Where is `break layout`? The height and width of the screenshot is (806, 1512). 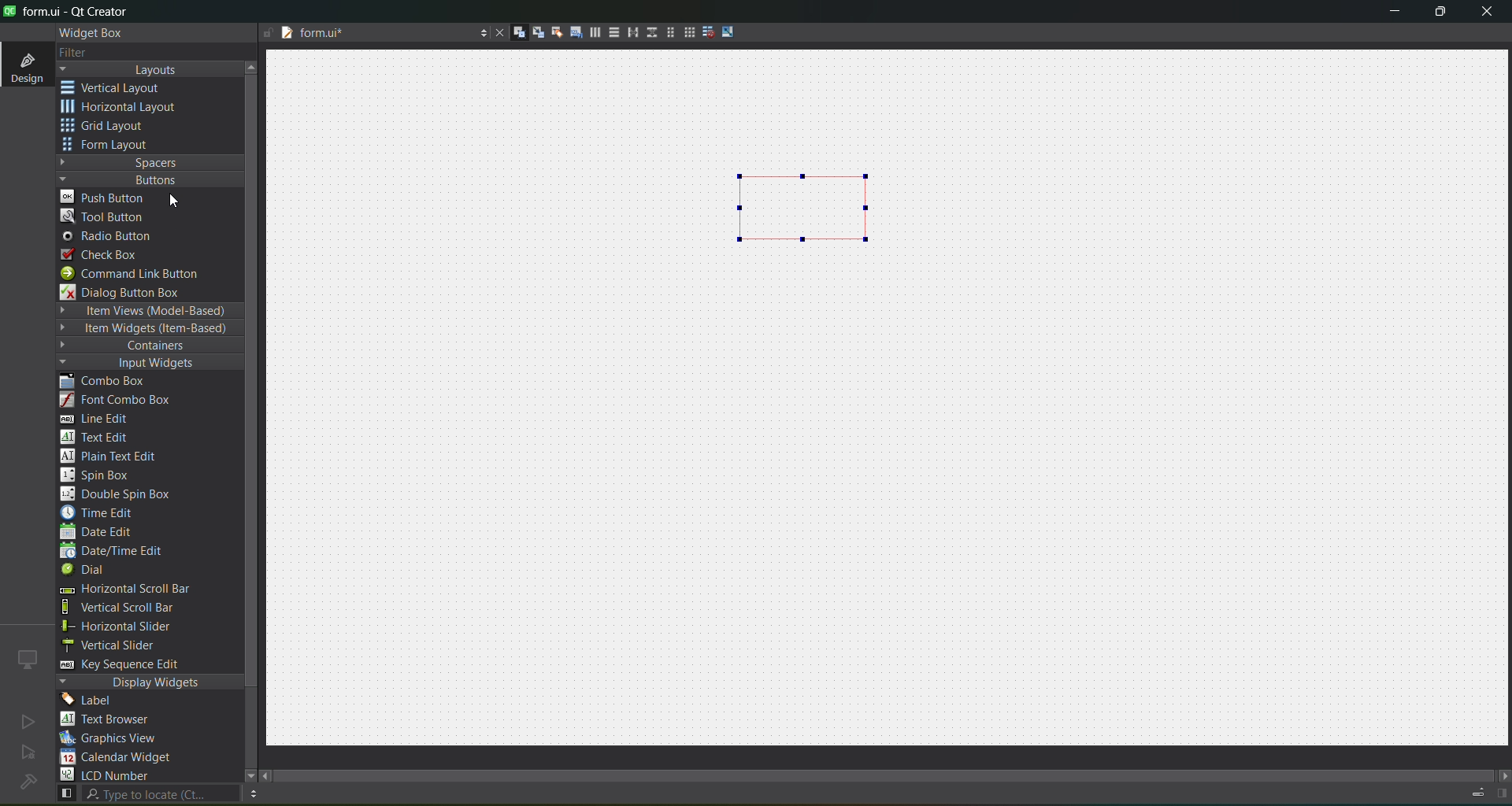 break layout is located at coordinates (704, 33).